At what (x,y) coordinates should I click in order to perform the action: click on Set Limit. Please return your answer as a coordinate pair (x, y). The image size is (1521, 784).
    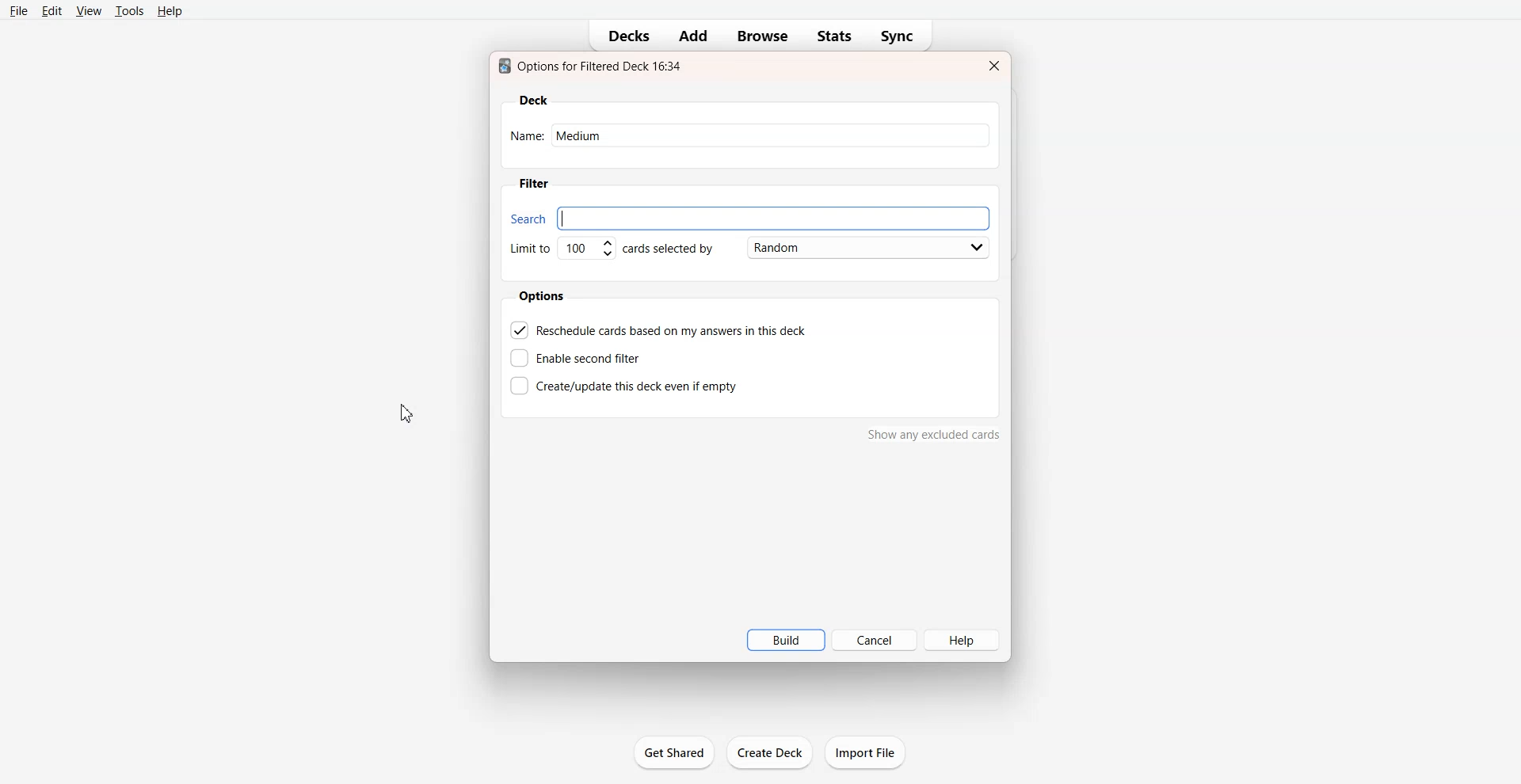
    Looking at the image, I should click on (561, 252).